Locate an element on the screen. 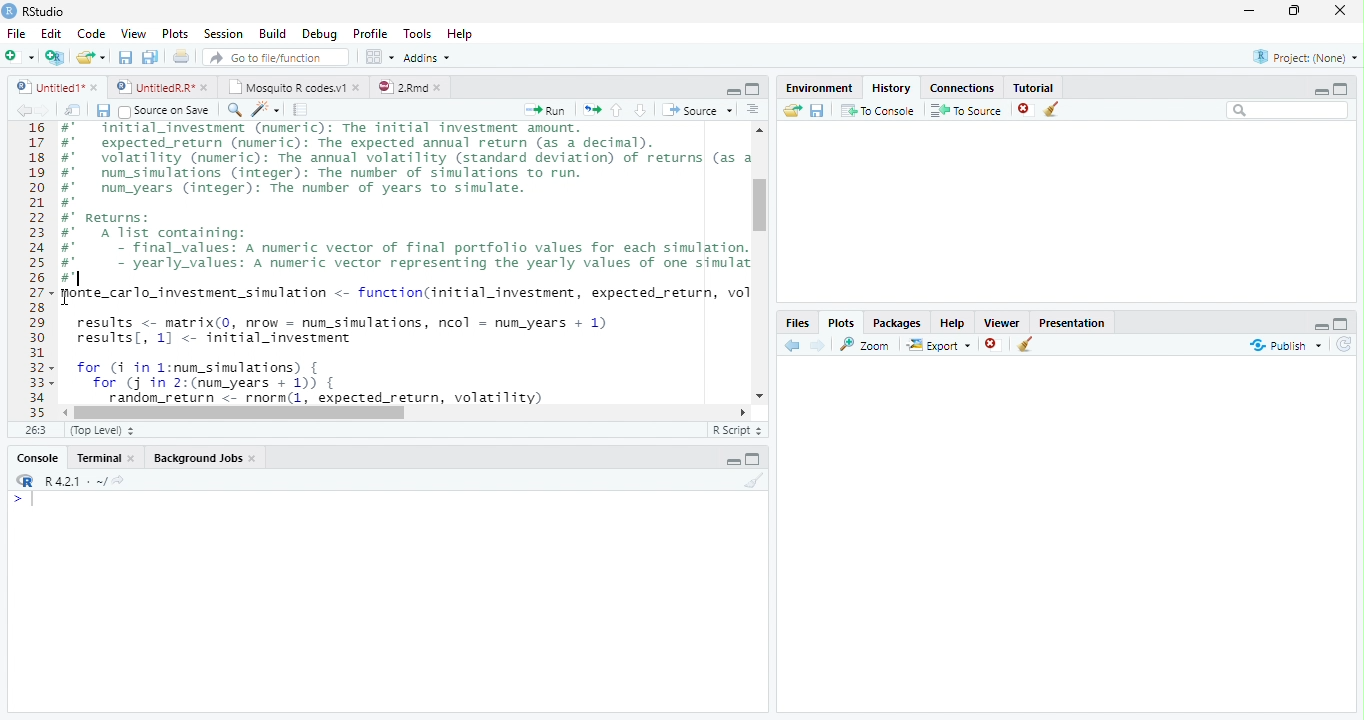 The width and height of the screenshot is (1364, 720). Terminal is located at coordinates (107, 457).